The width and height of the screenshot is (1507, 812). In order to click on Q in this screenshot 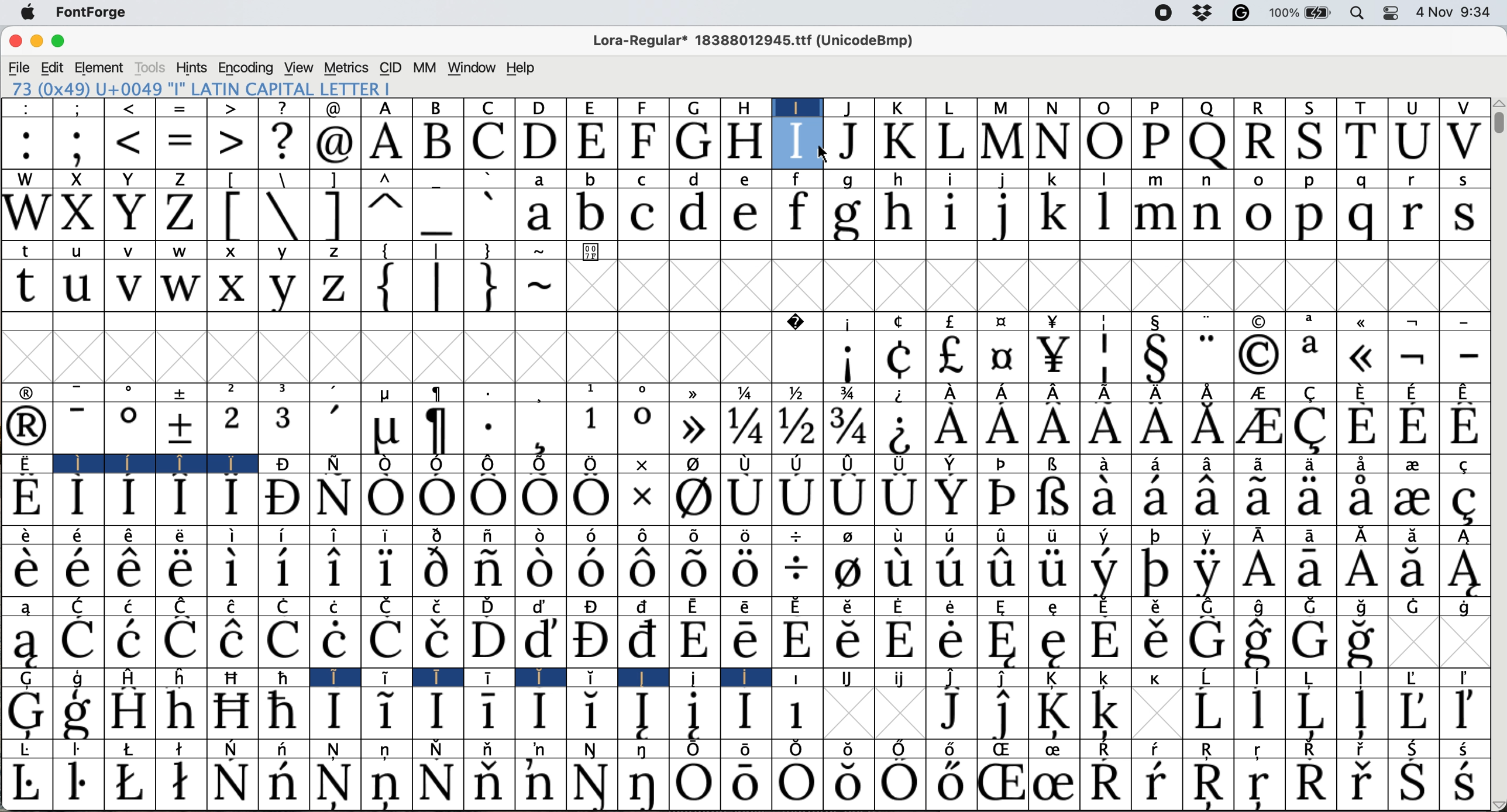, I will do `click(1207, 107)`.